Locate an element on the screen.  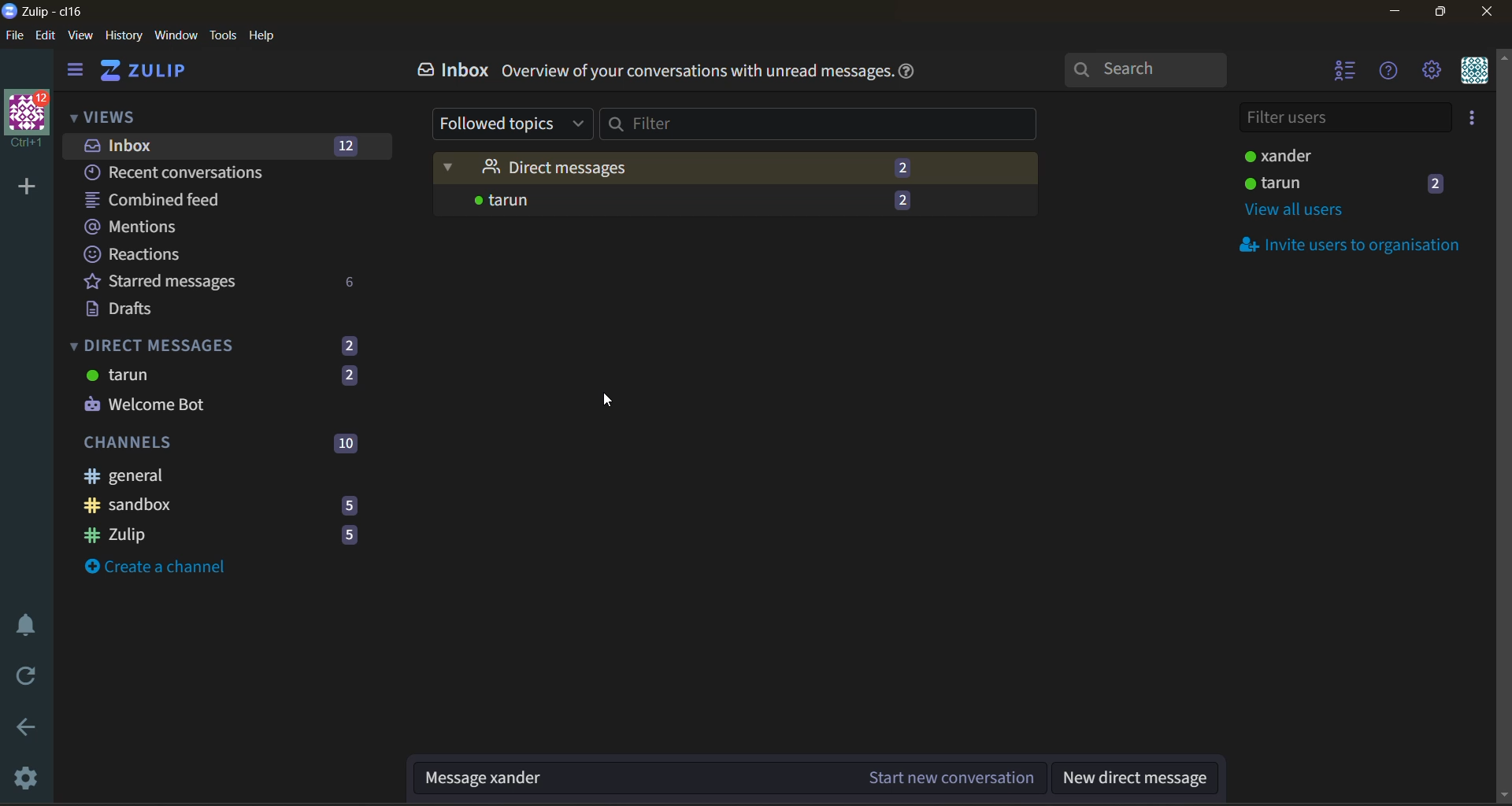
window is located at coordinates (177, 37).